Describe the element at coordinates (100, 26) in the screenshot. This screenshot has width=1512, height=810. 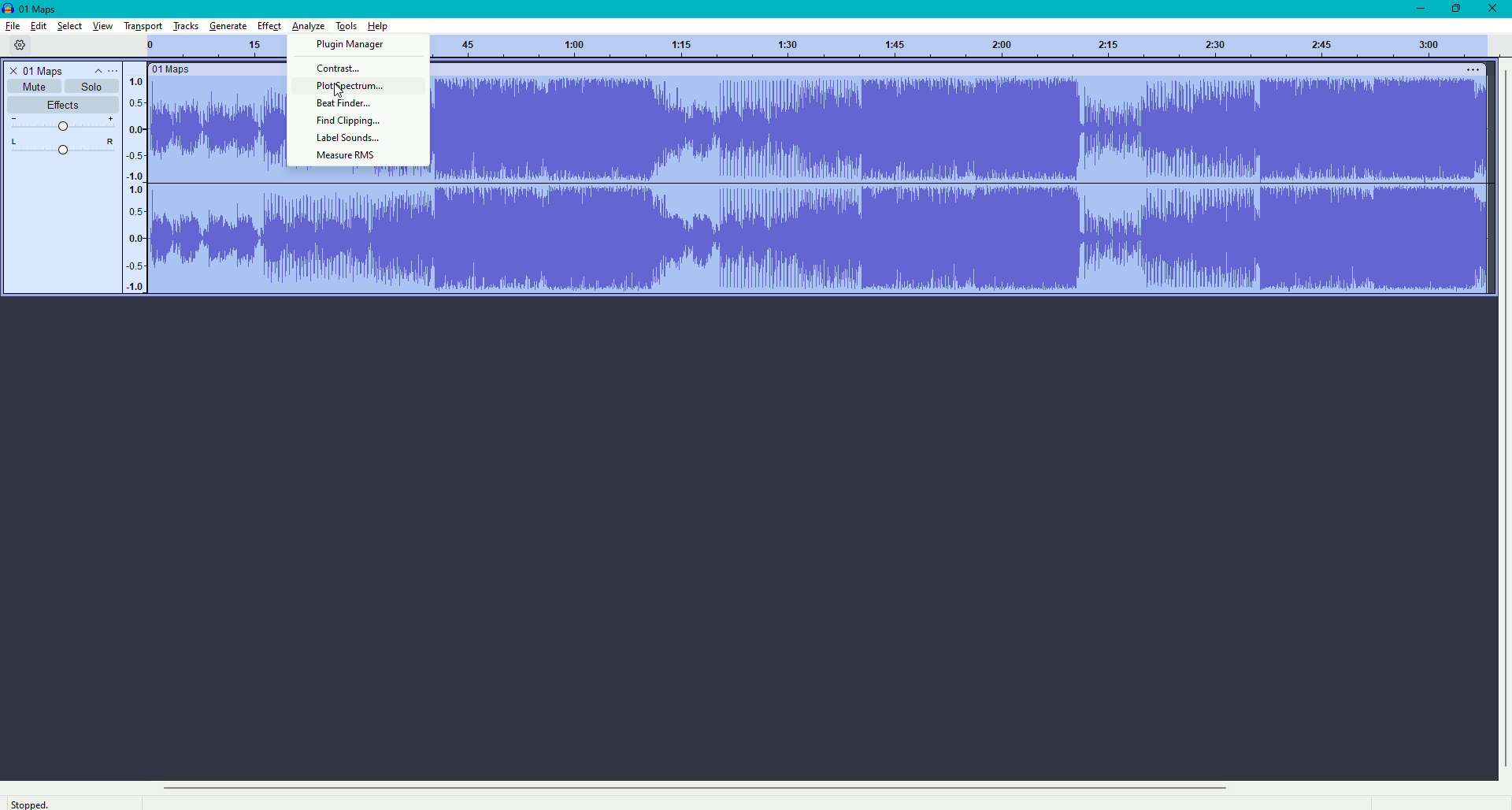
I see `View` at that location.